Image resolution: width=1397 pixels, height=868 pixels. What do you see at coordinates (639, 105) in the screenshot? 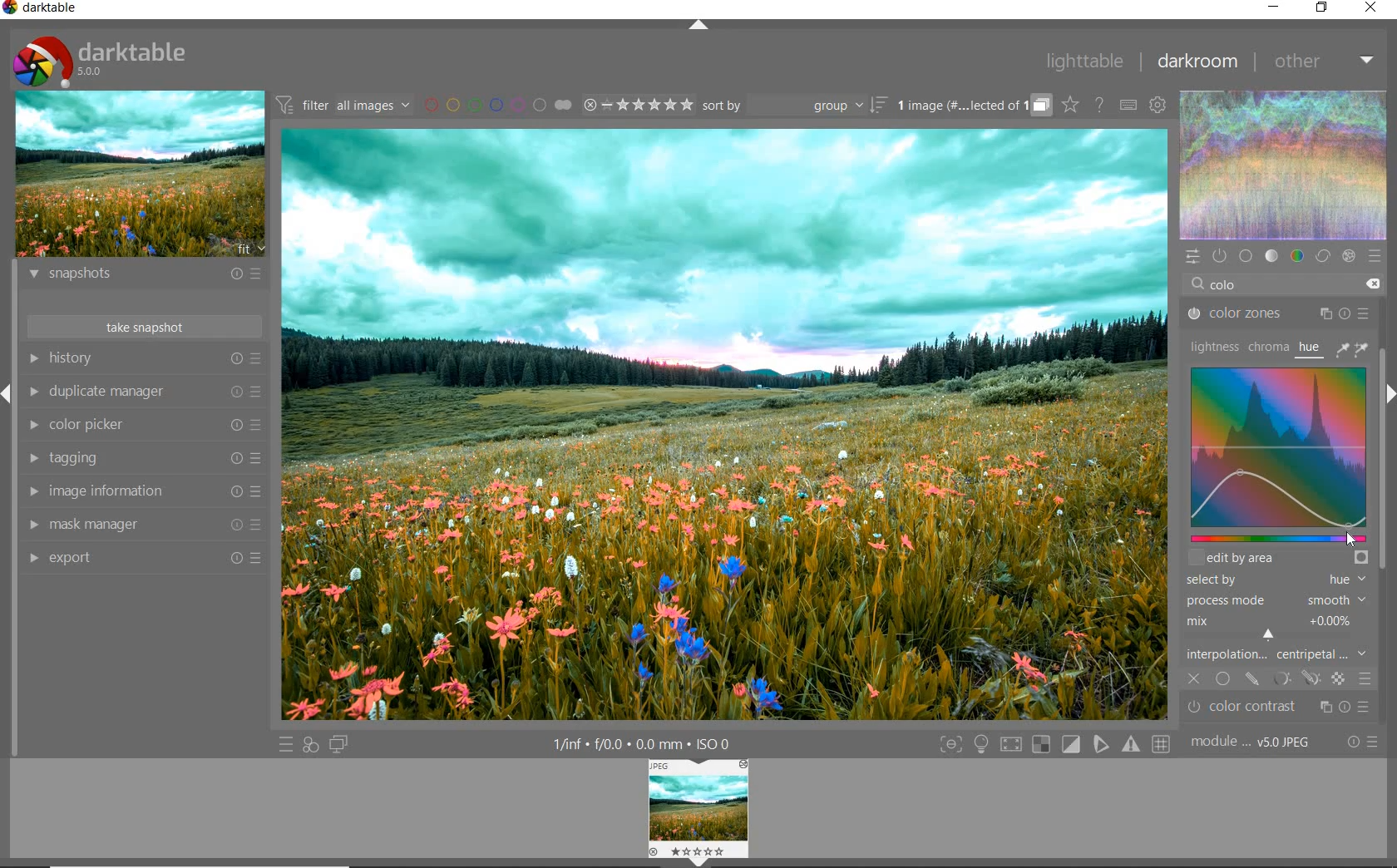
I see `range ratings for selected images` at bounding box center [639, 105].